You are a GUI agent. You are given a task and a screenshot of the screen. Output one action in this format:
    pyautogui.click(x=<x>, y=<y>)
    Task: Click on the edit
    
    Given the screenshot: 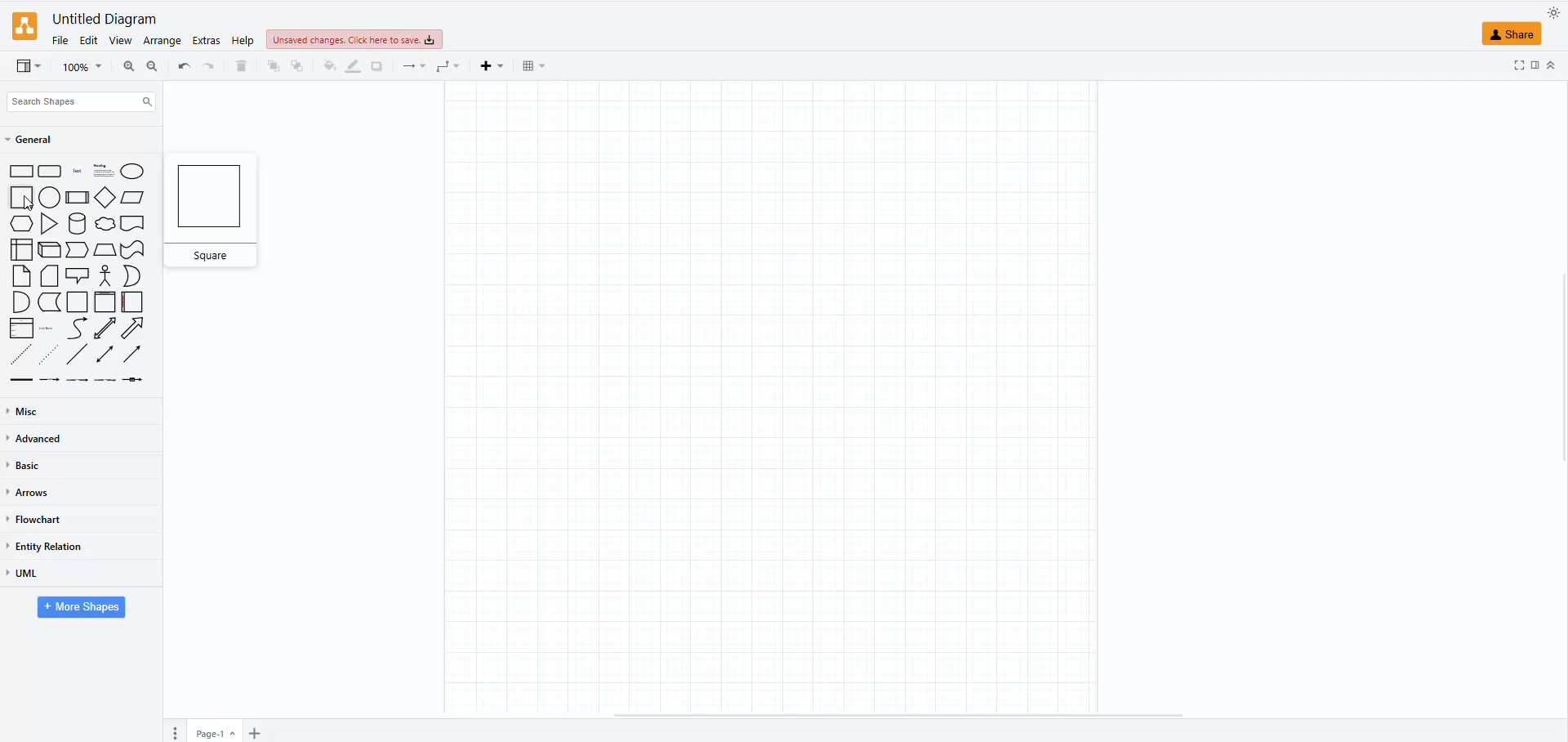 What is the action you would take?
    pyautogui.click(x=90, y=40)
    